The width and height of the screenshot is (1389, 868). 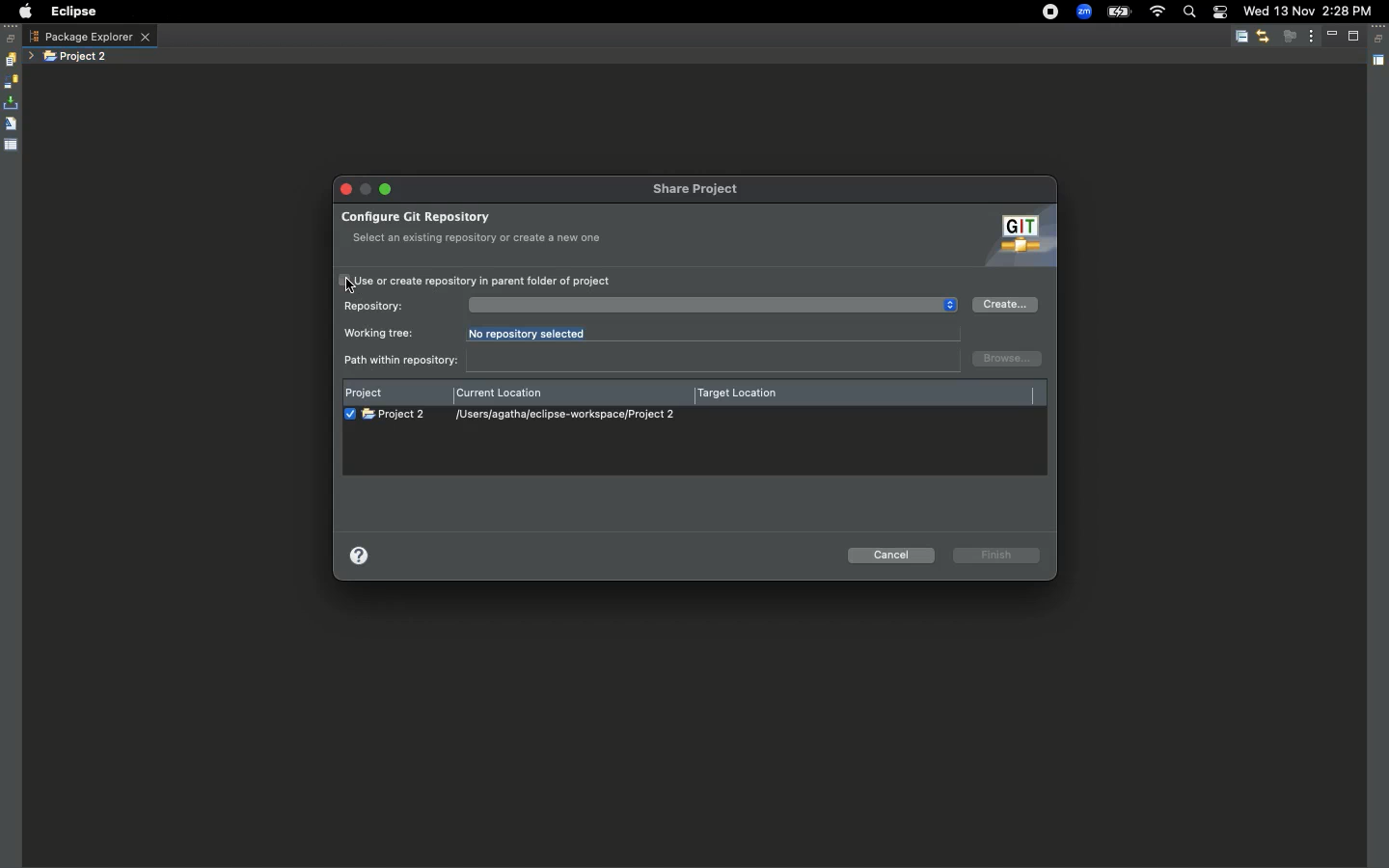 I want to click on Eclipse, so click(x=72, y=12).